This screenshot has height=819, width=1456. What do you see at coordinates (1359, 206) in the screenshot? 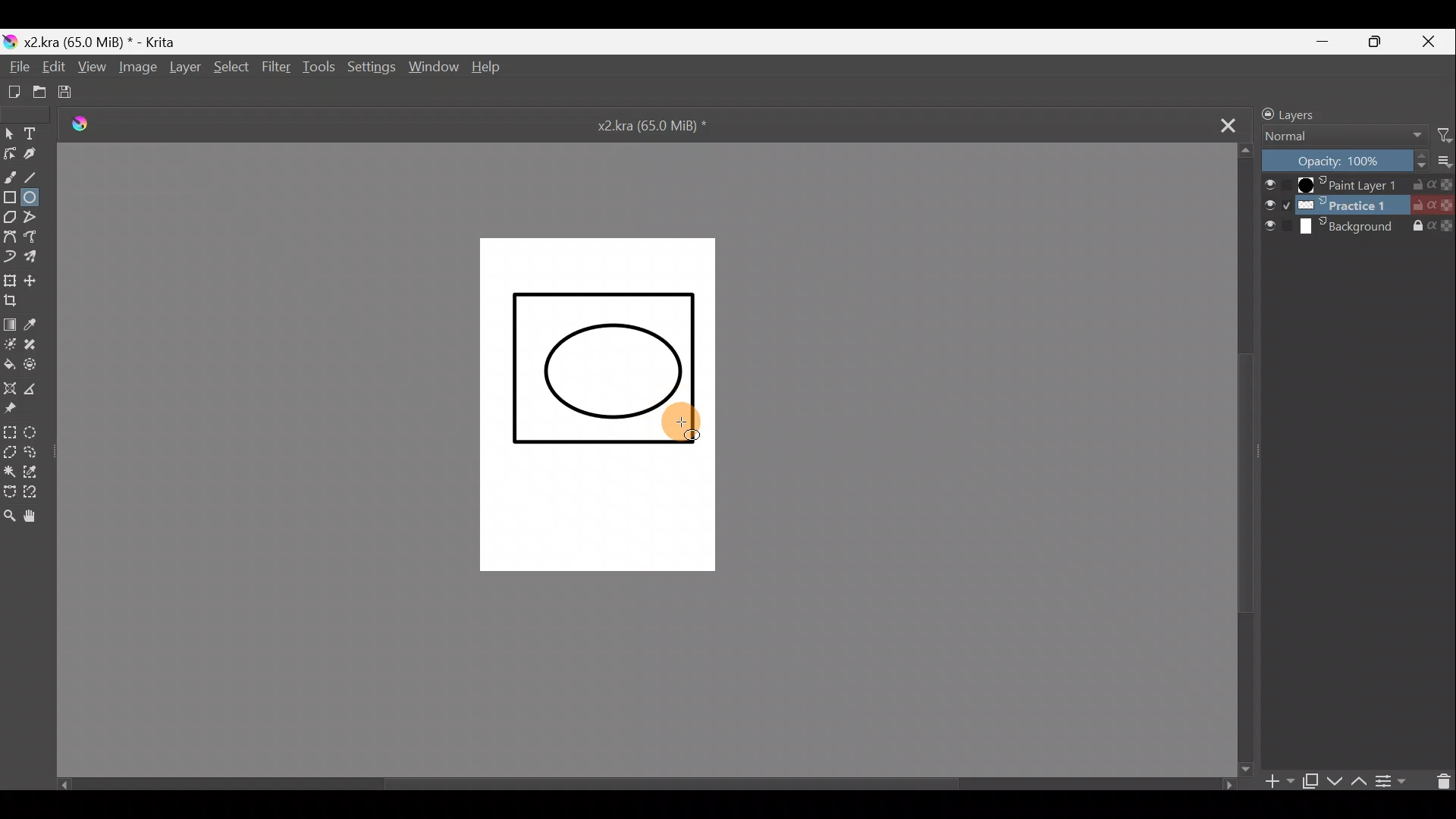
I see `Practice 1` at bounding box center [1359, 206].